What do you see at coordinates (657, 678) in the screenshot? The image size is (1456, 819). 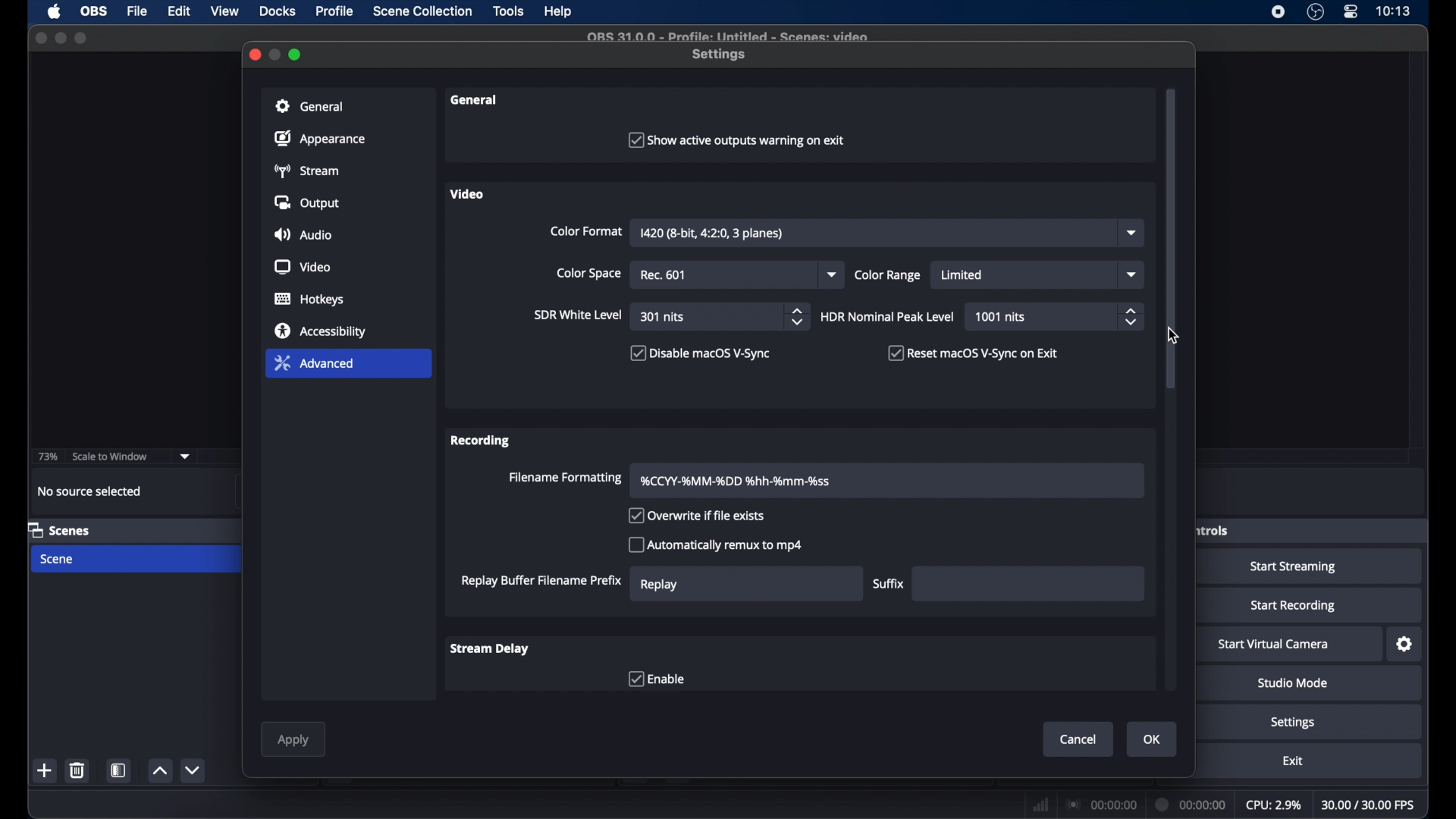 I see `checkbox` at bounding box center [657, 678].